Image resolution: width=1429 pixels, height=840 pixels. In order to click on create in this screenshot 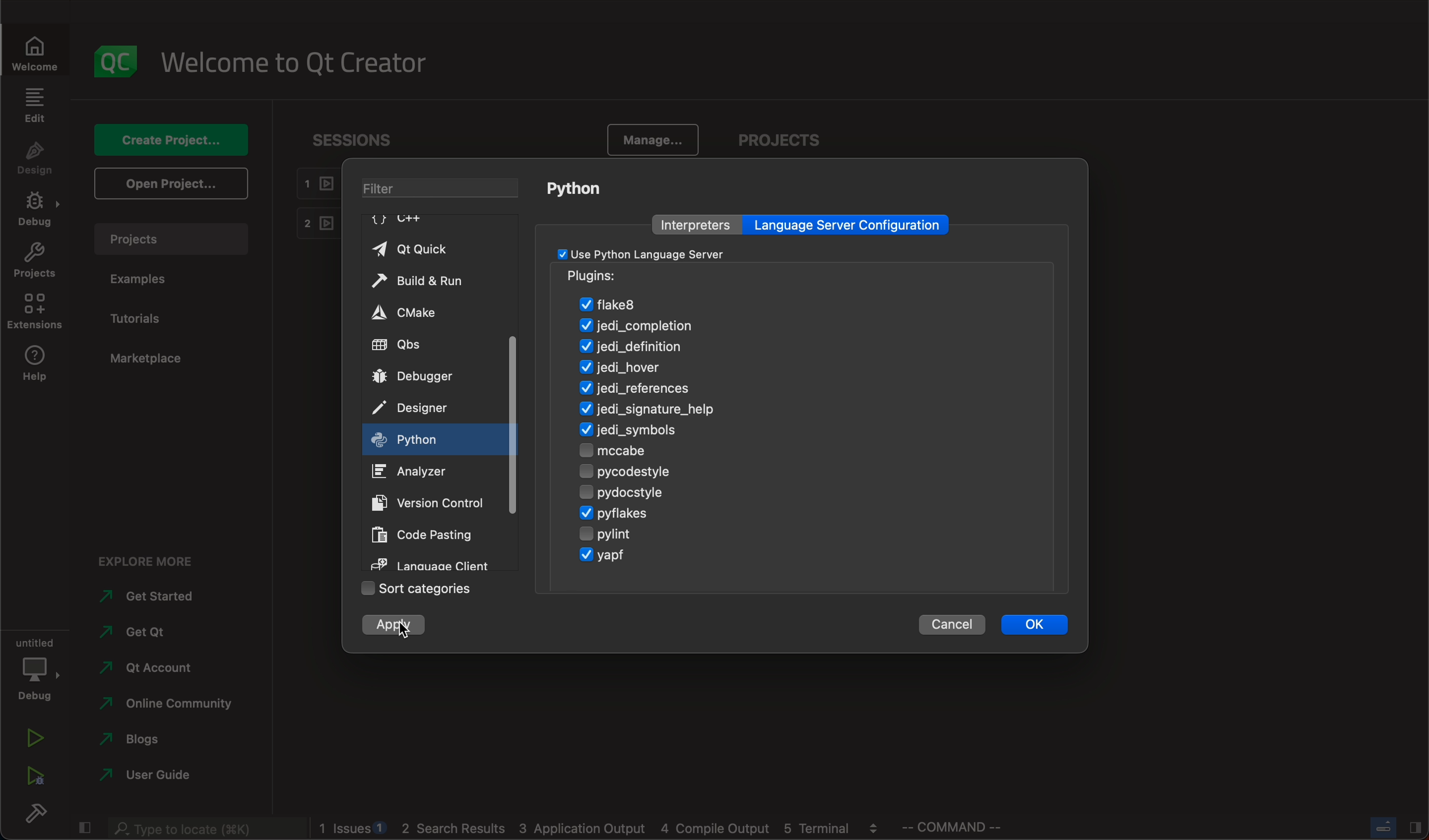, I will do `click(168, 139)`.